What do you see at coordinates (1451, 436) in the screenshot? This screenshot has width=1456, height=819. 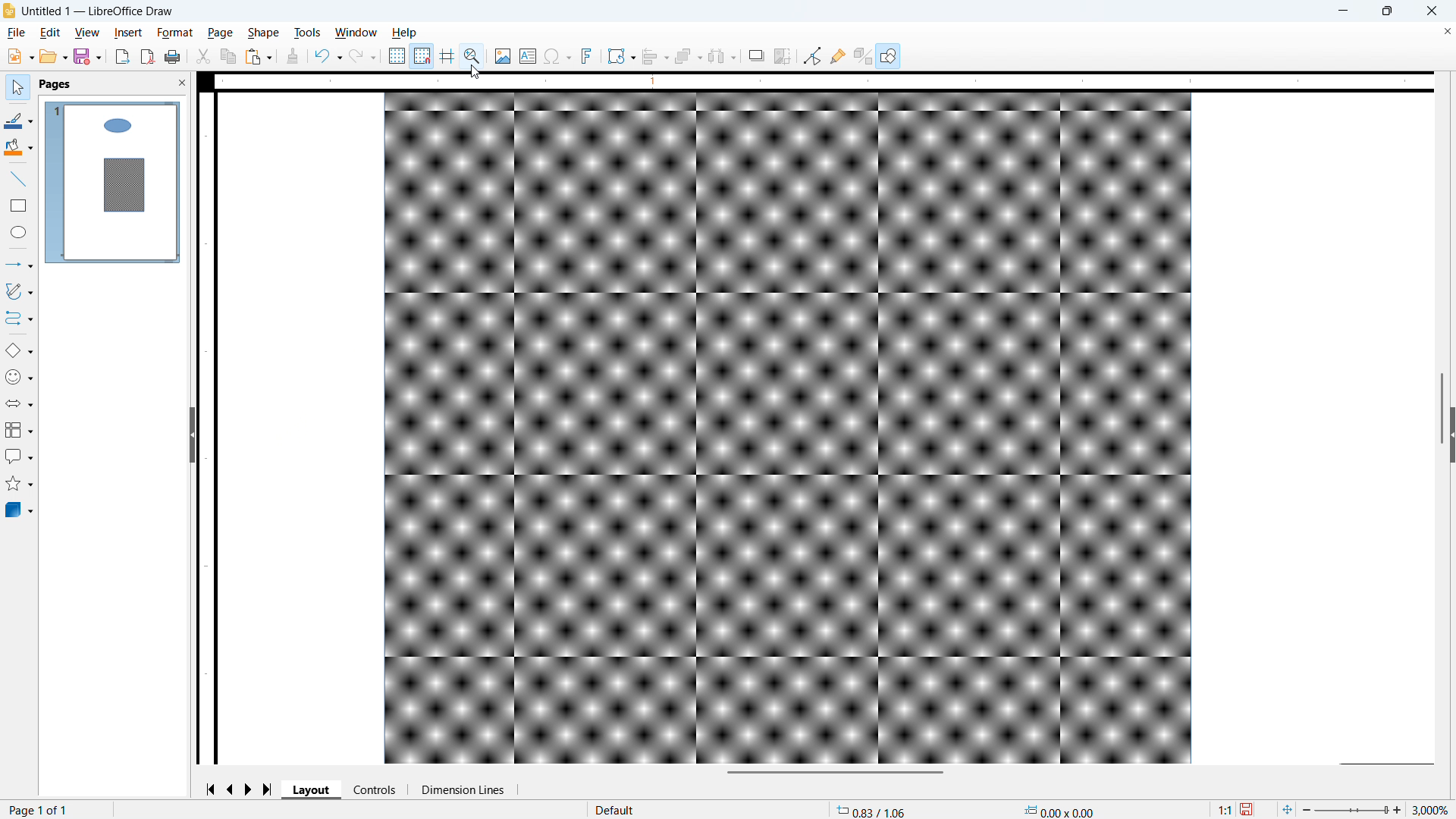 I see `Expand panel ` at bounding box center [1451, 436].